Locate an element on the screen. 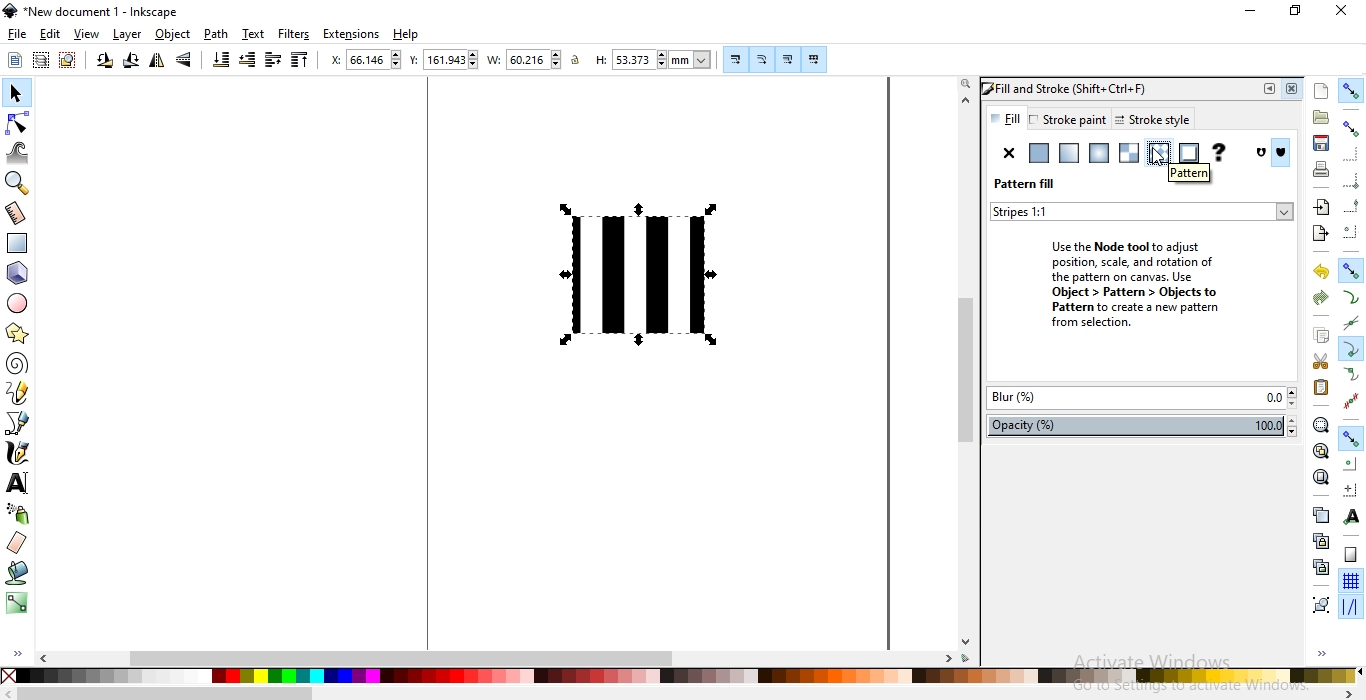 This screenshot has height=700, width=1366. create rectangles and squares is located at coordinates (20, 244).